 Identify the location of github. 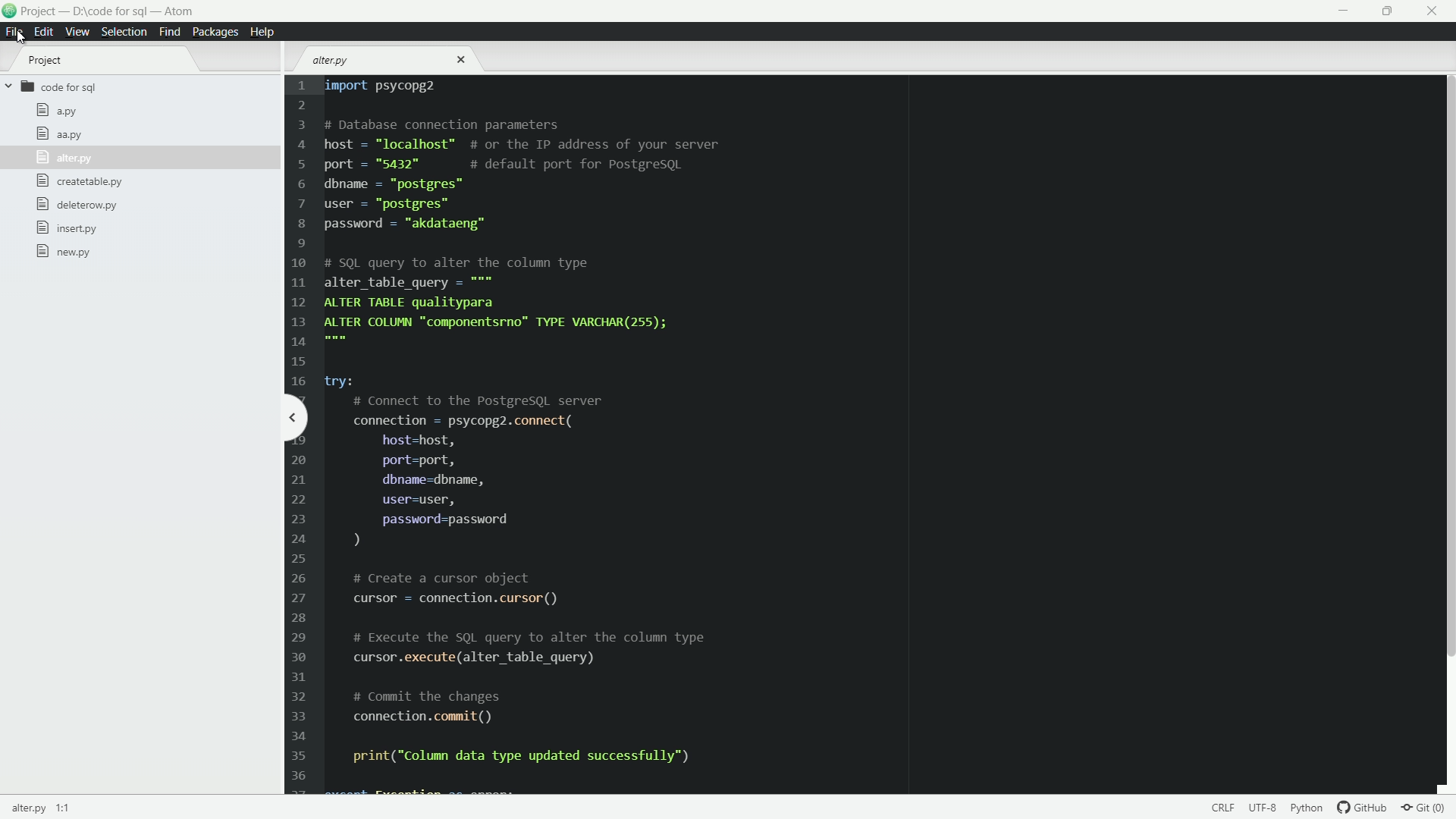
(1364, 807).